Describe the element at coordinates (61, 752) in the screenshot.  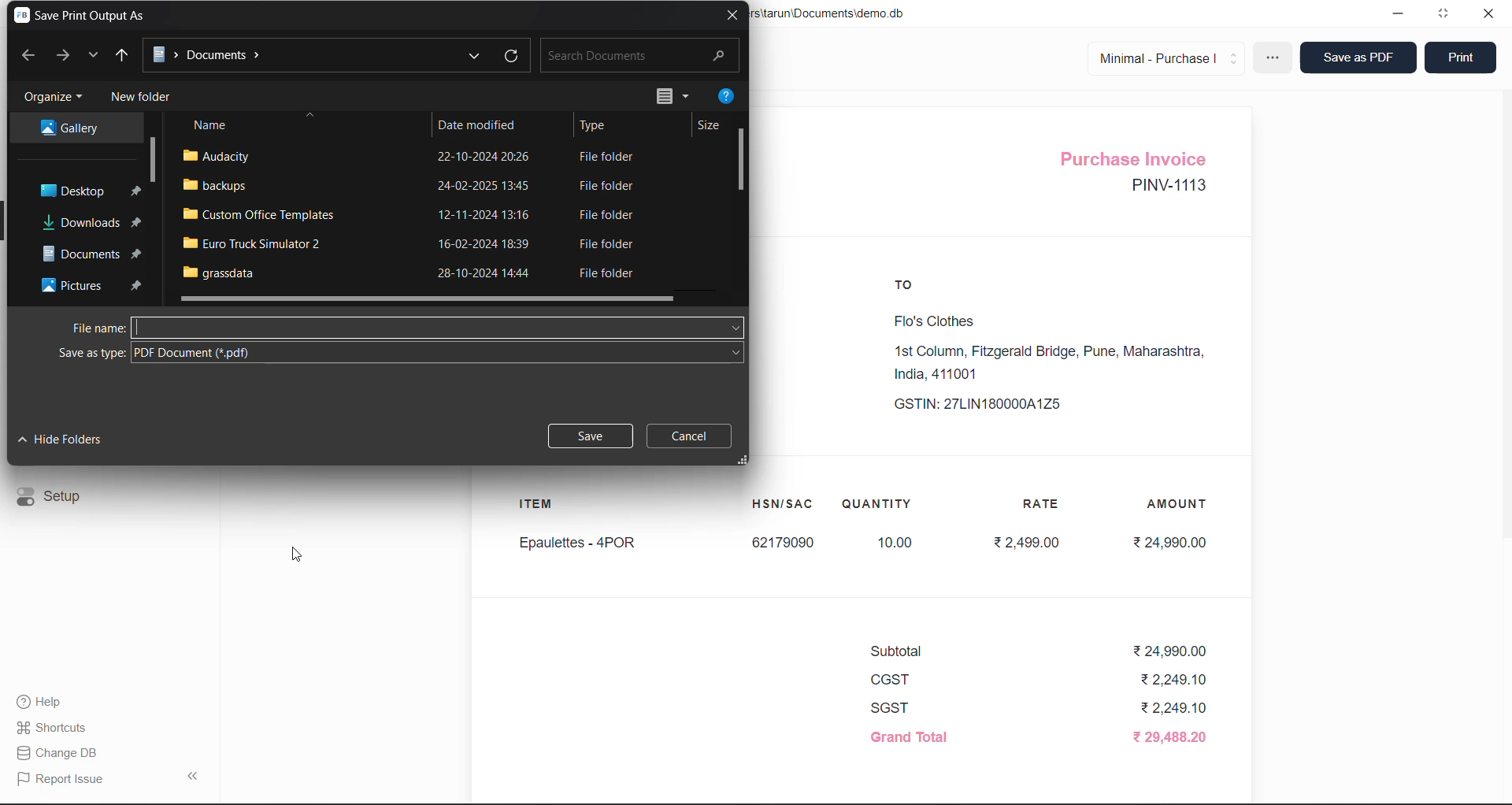
I see `| Change DB` at that location.